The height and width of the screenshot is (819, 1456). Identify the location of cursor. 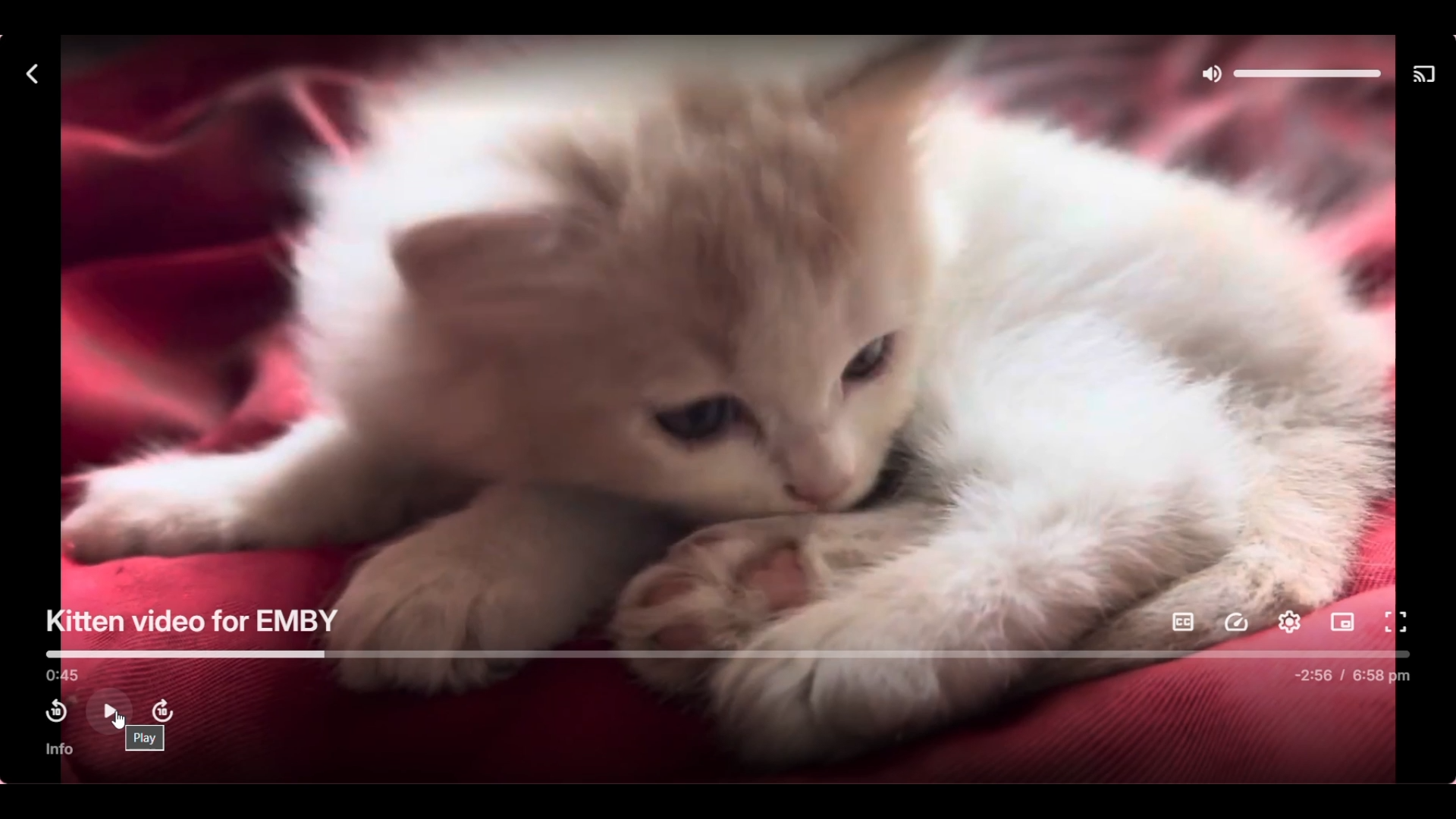
(116, 721).